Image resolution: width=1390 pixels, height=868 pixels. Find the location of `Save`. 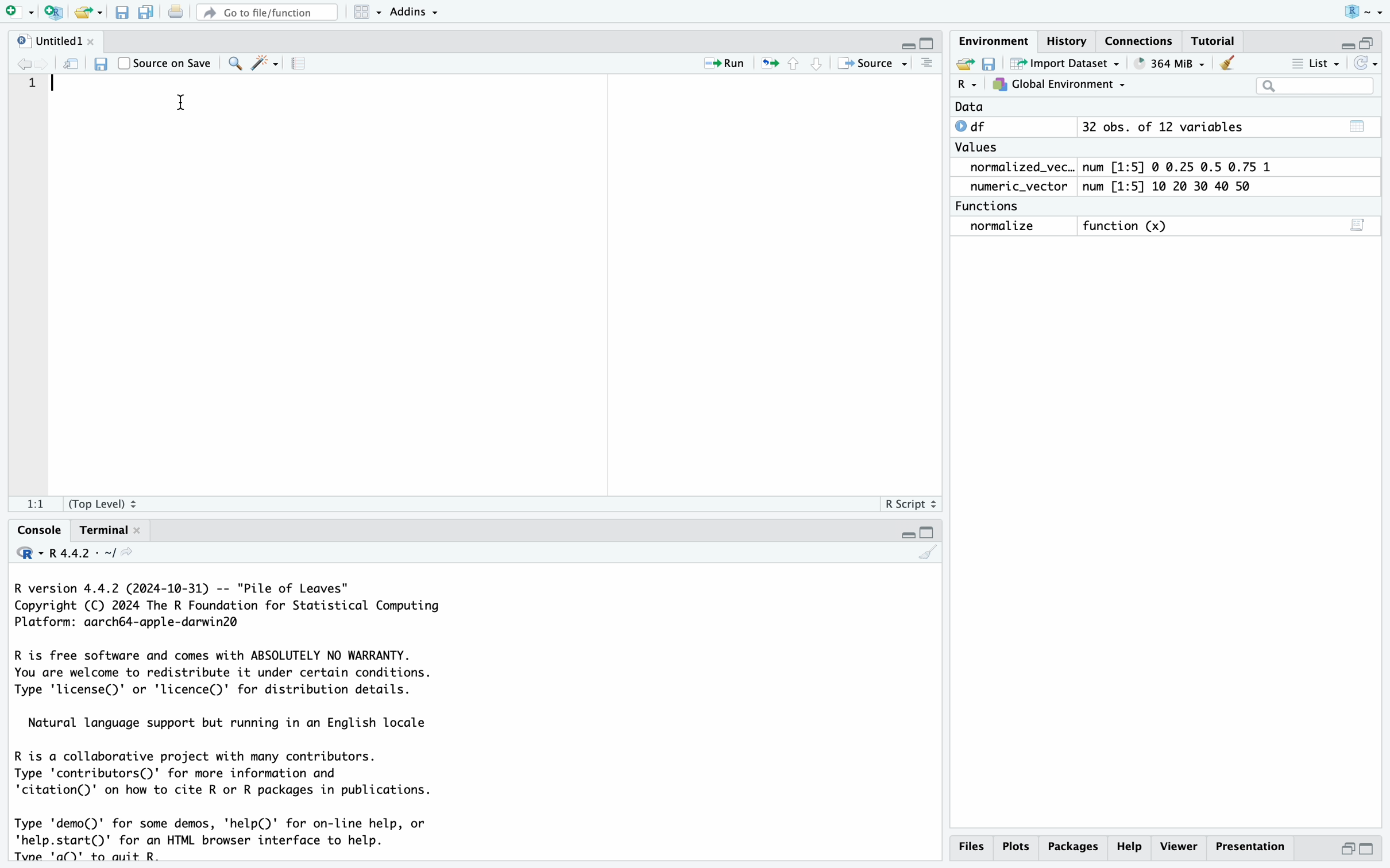

Save is located at coordinates (99, 63).